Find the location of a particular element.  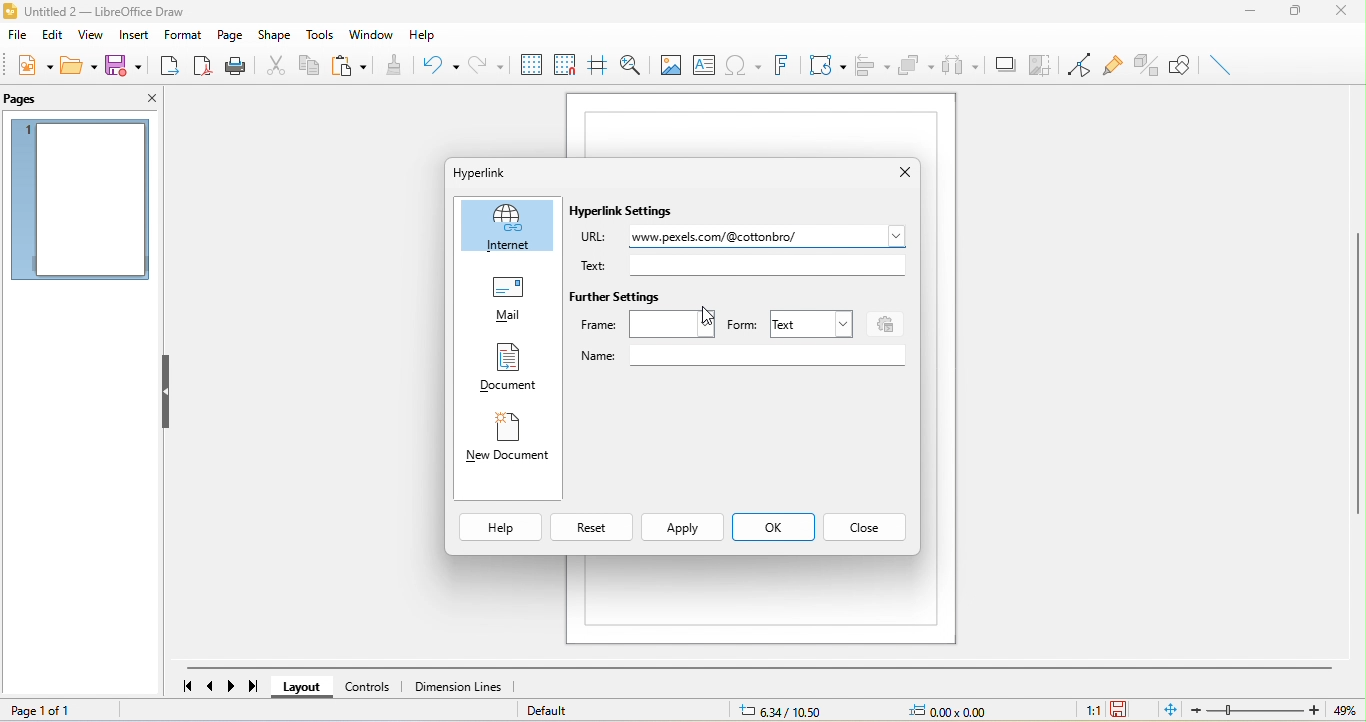

insert is located at coordinates (132, 34).